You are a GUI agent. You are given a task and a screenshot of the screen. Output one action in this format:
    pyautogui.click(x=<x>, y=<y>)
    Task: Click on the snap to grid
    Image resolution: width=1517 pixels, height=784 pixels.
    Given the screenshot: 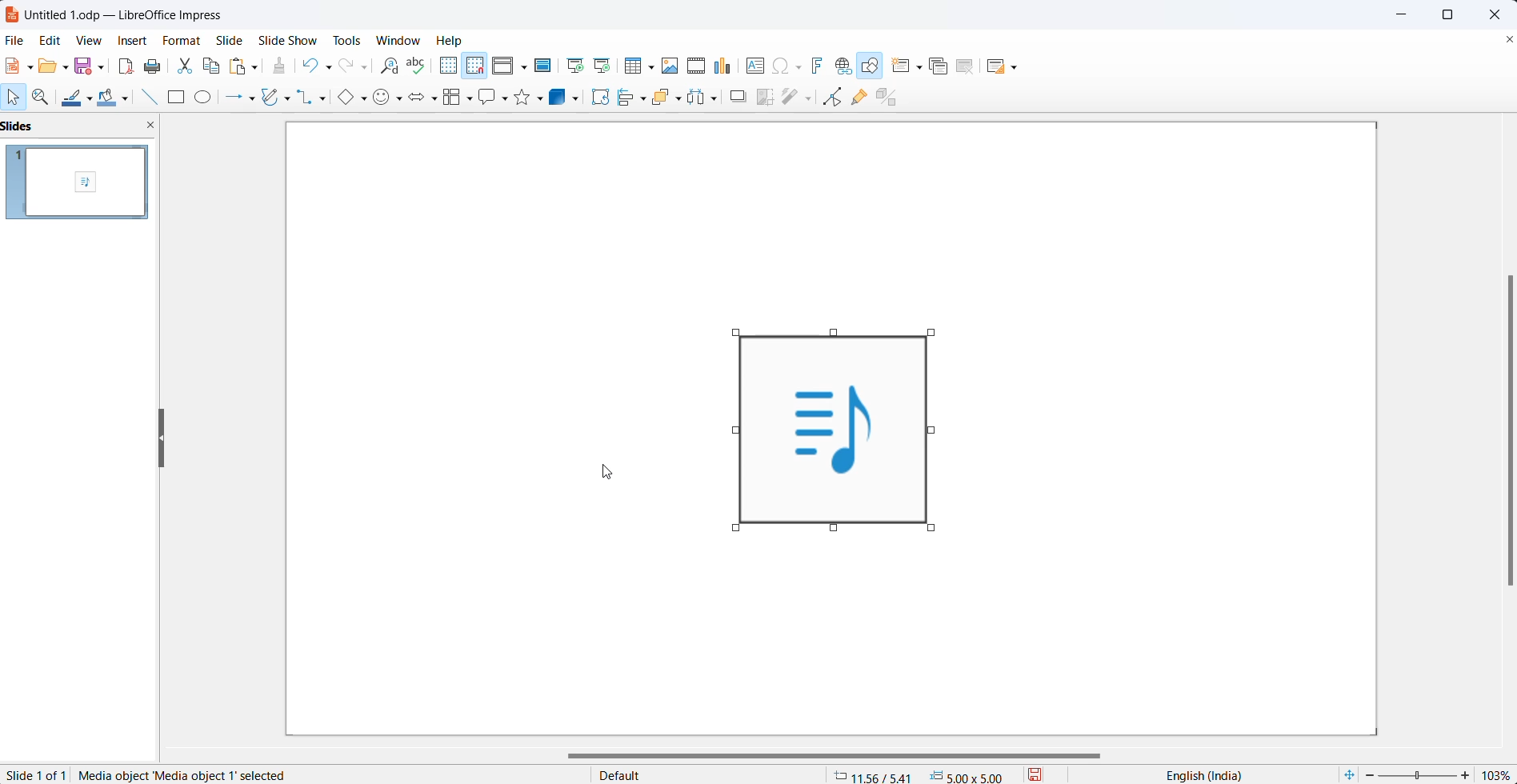 What is the action you would take?
    pyautogui.click(x=478, y=66)
    